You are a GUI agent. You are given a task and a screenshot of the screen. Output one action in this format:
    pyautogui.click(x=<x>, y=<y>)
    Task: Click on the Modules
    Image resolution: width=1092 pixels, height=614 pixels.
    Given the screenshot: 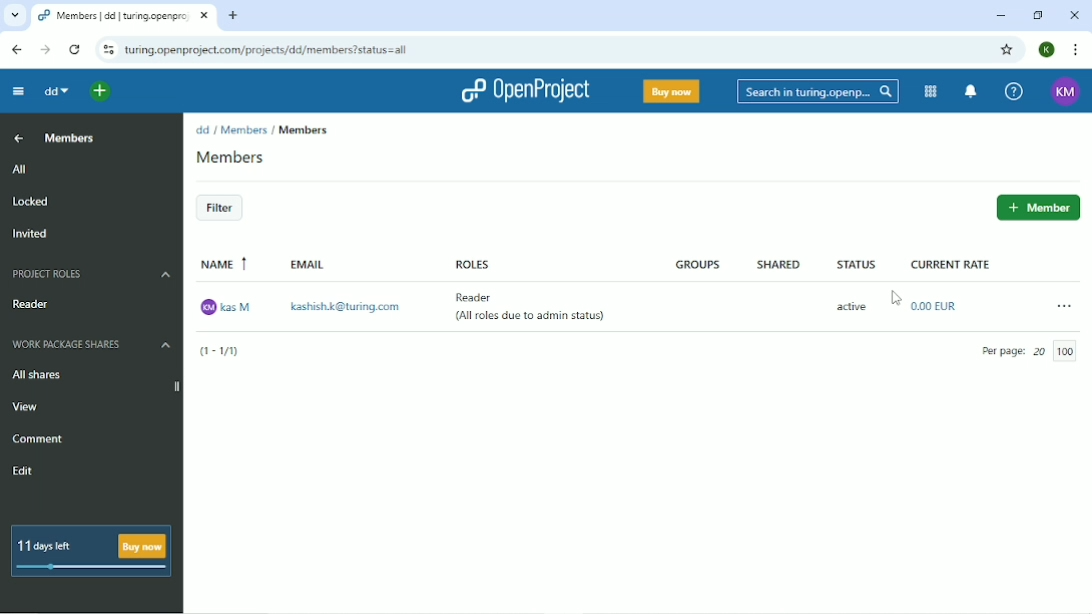 What is the action you would take?
    pyautogui.click(x=928, y=91)
    